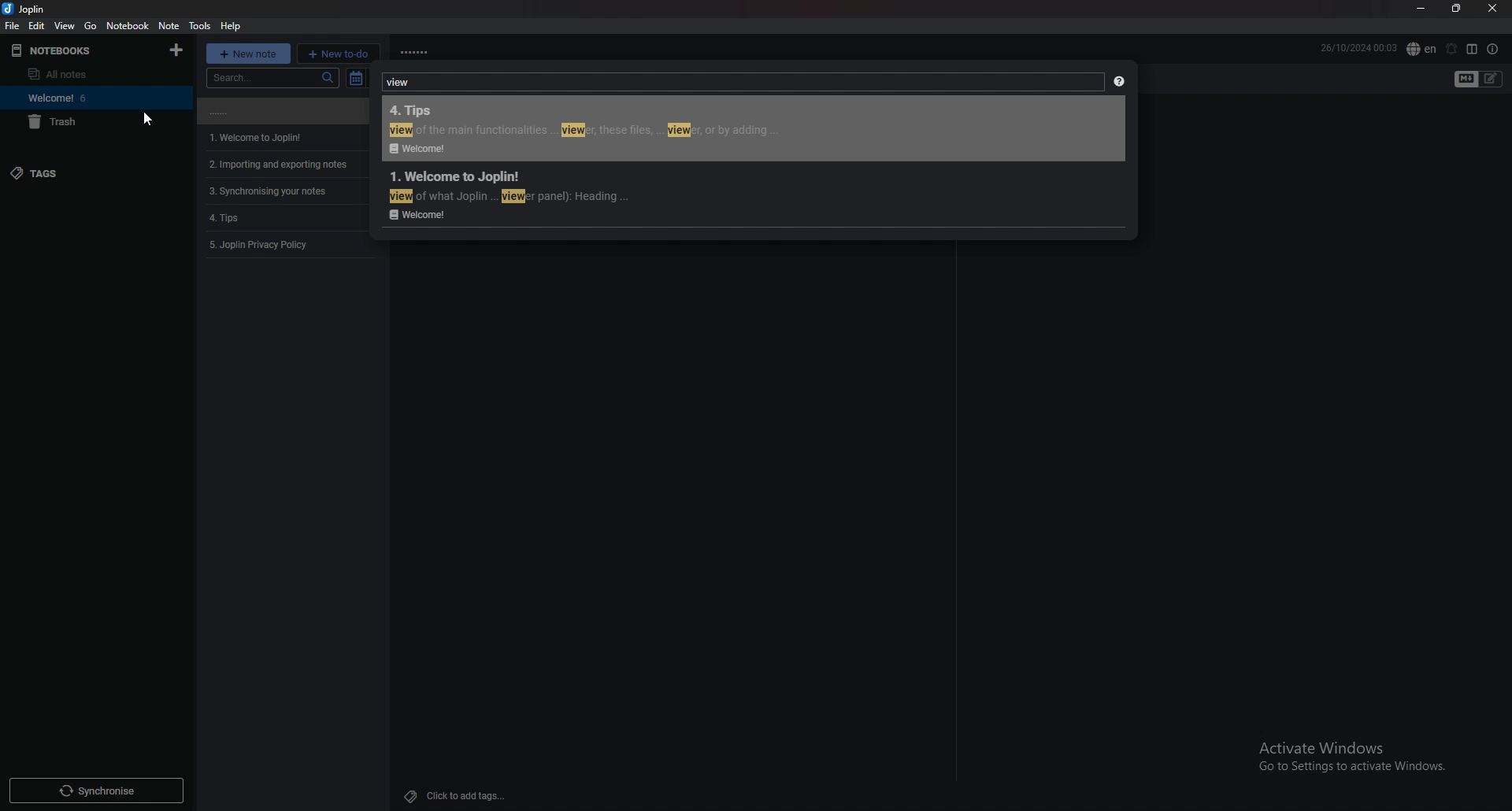 This screenshot has height=811, width=1512. What do you see at coordinates (94, 50) in the screenshot?
I see `notebooks` at bounding box center [94, 50].